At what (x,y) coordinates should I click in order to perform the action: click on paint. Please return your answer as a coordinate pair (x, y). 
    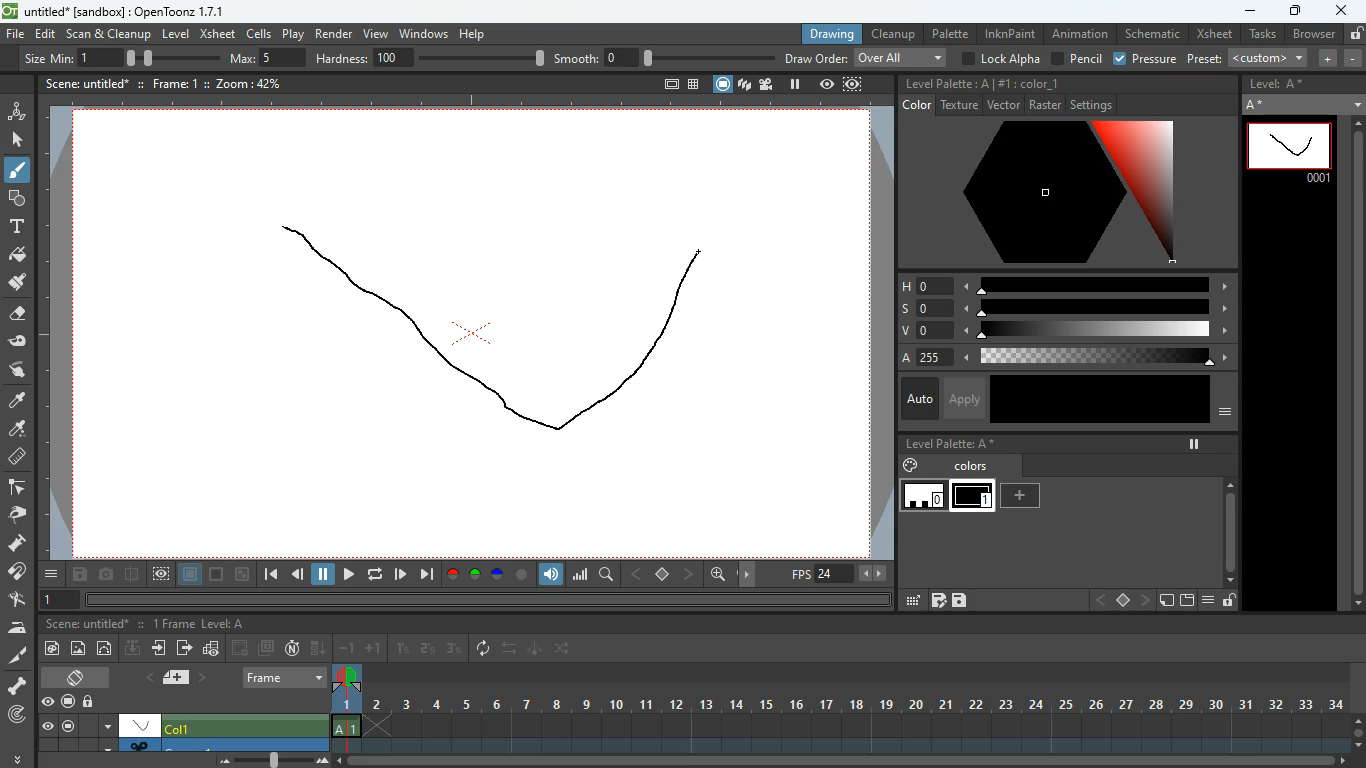
    Looking at the image, I should click on (50, 650).